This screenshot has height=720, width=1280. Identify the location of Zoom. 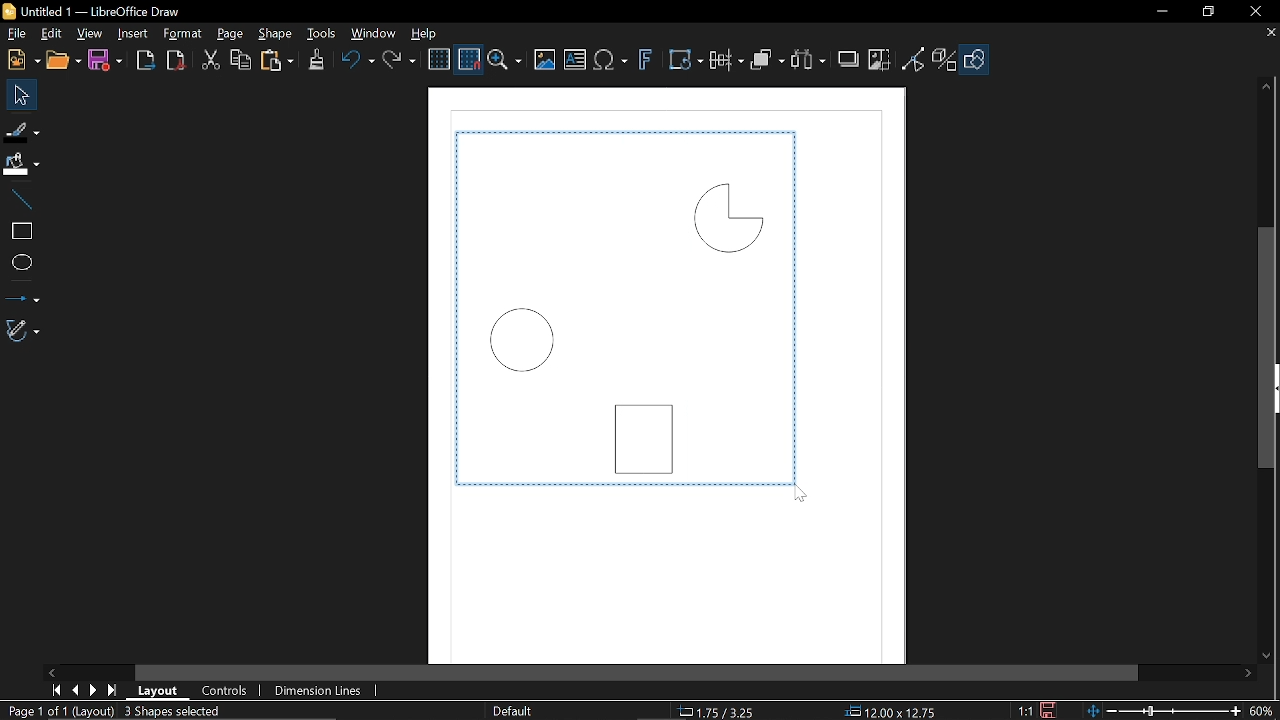
(506, 60).